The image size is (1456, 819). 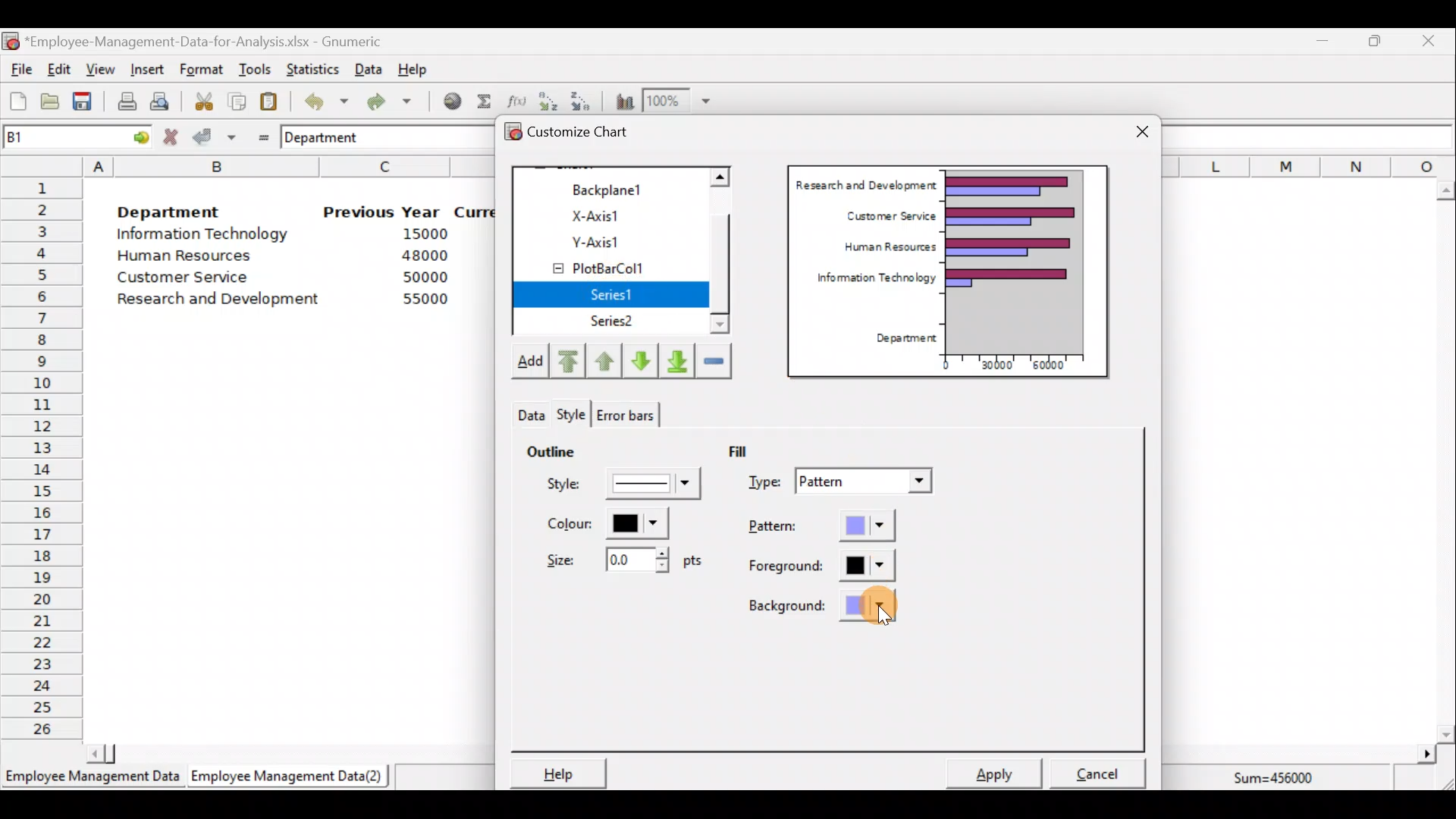 What do you see at coordinates (613, 215) in the screenshot?
I see `X-axis1` at bounding box center [613, 215].